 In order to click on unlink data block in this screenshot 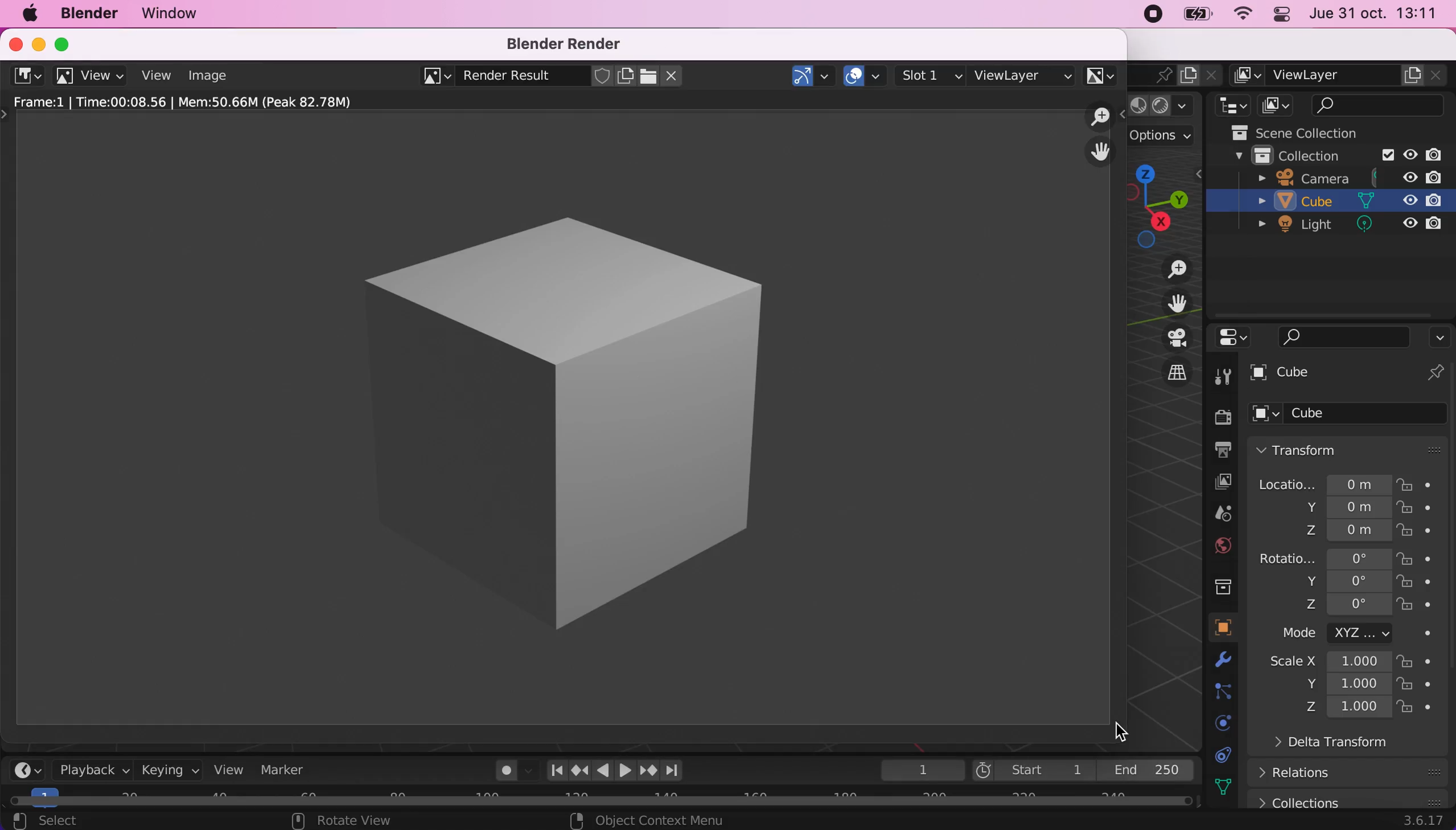, I will do `click(675, 76)`.